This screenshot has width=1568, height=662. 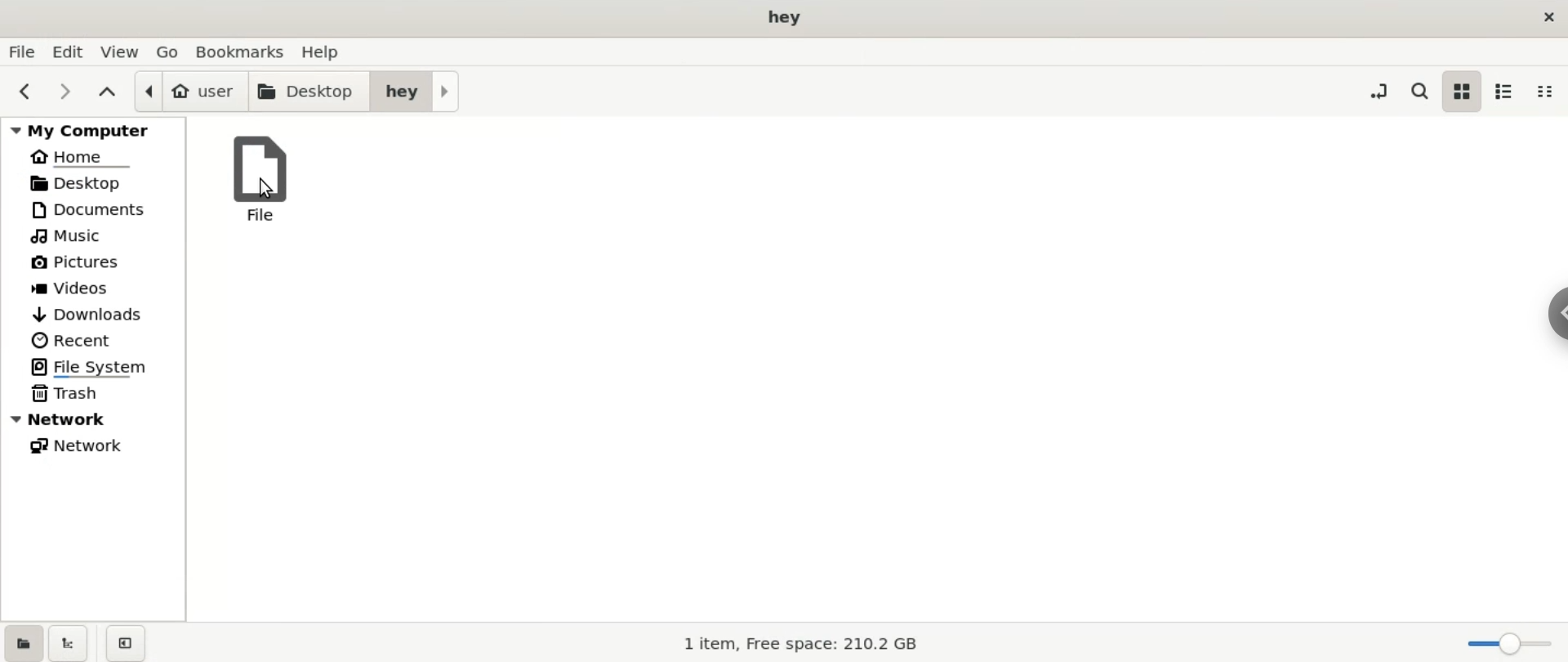 What do you see at coordinates (812, 642) in the screenshot?
I see `1 item, free space: 210.2 GB` at bounding box center [812, 642].